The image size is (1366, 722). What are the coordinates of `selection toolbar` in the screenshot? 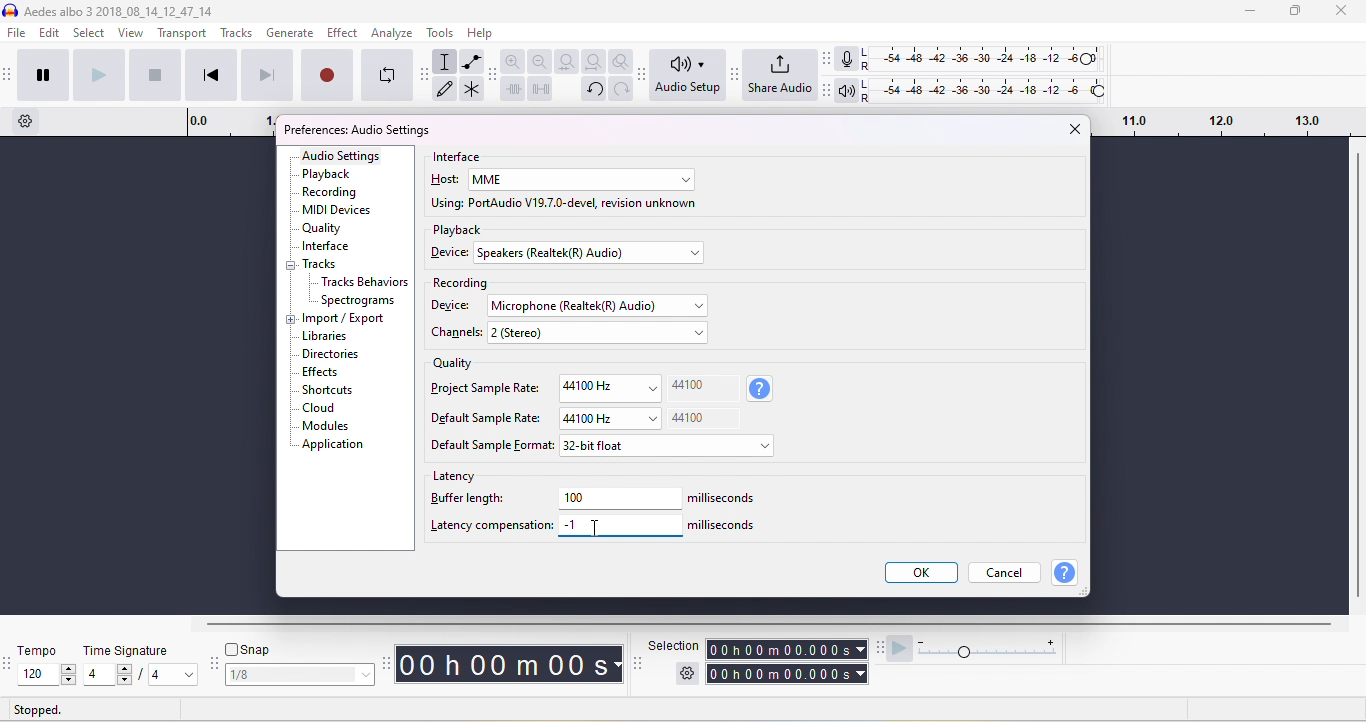 It's located at (637, 662).